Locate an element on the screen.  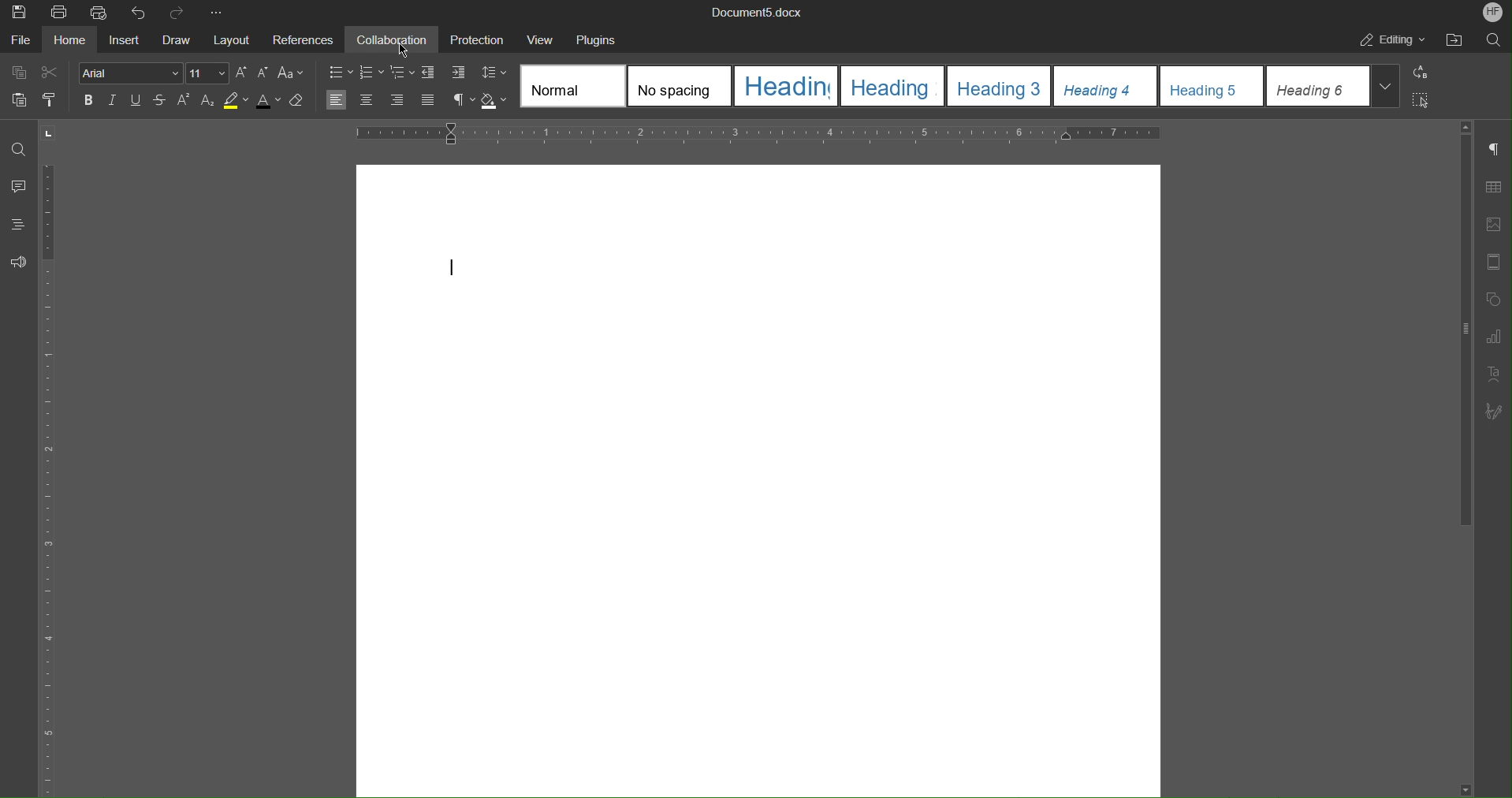
Editing is located at coordinates (1387, 40).